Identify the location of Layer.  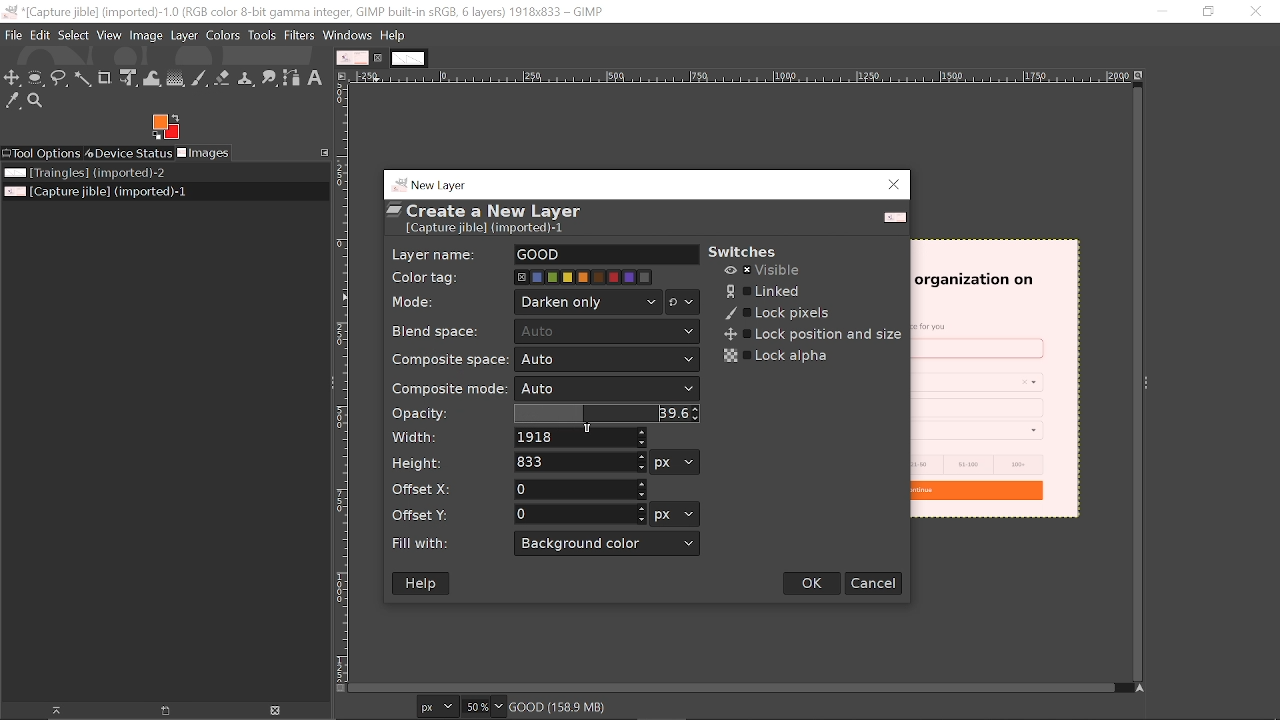
(185, 35).